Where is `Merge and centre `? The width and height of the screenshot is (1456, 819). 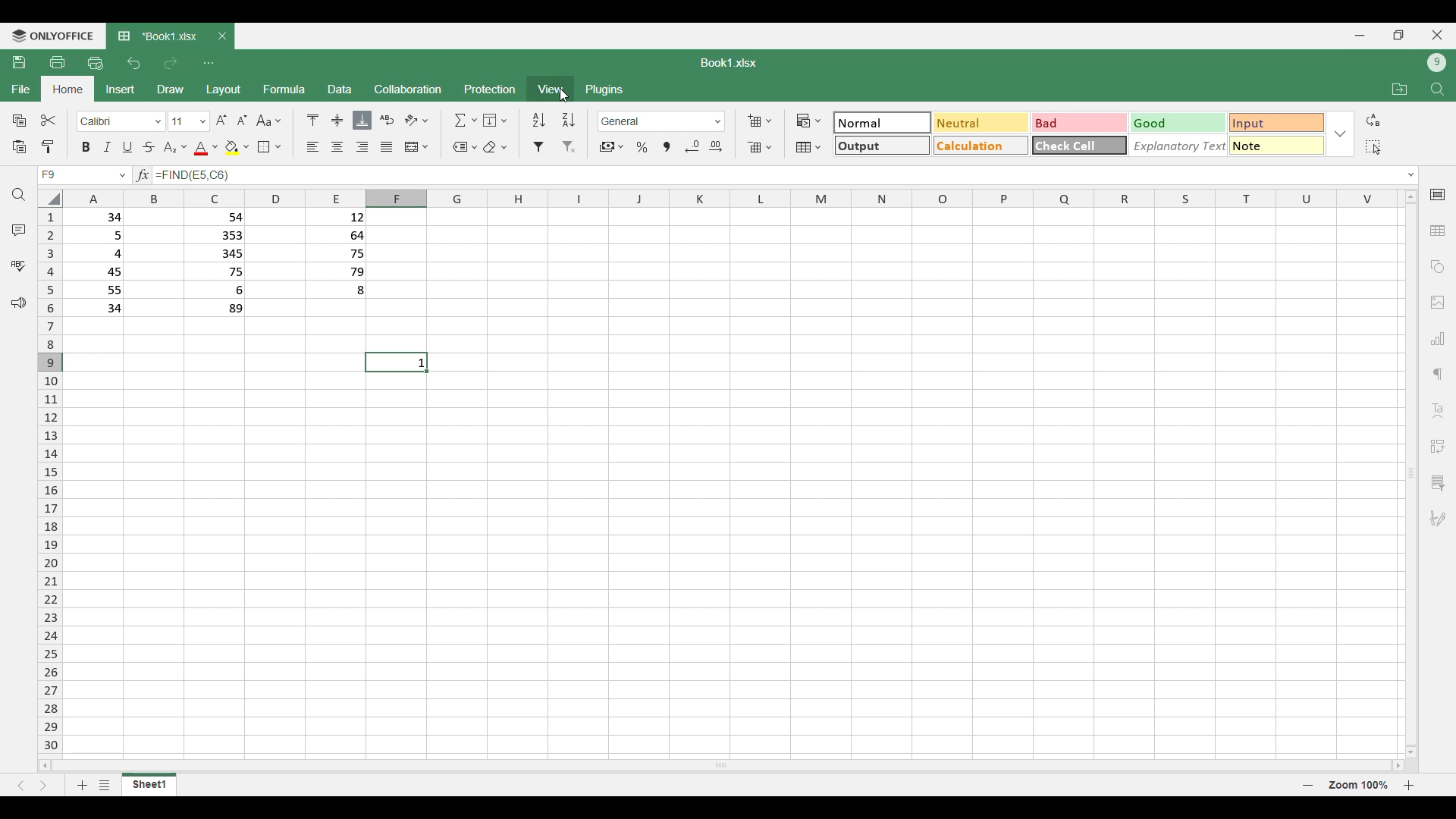
Merge and centre  is located at coordinates (416, 147).